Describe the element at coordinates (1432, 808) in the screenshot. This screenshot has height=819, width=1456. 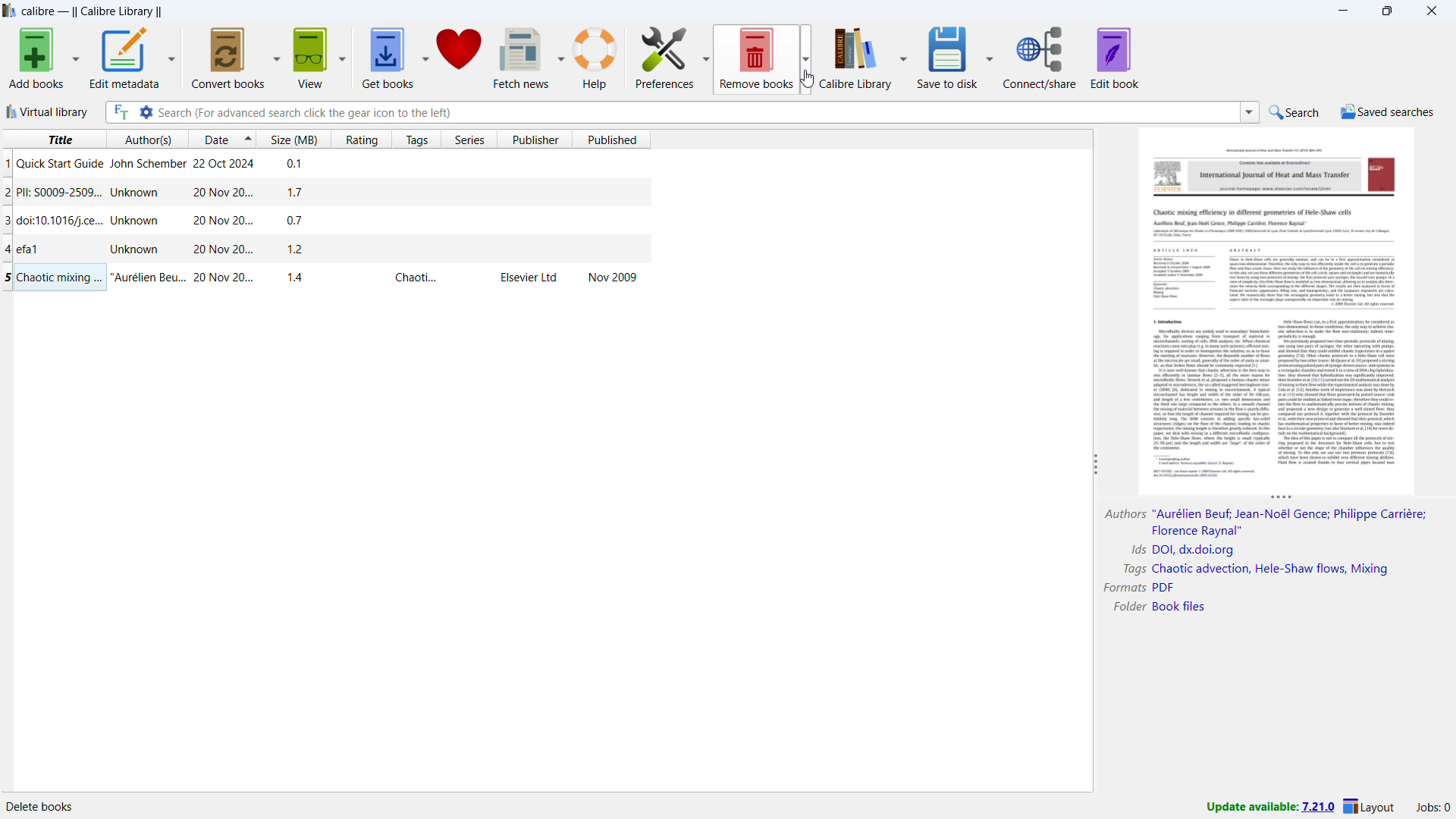
I see `active jobs` at that location.